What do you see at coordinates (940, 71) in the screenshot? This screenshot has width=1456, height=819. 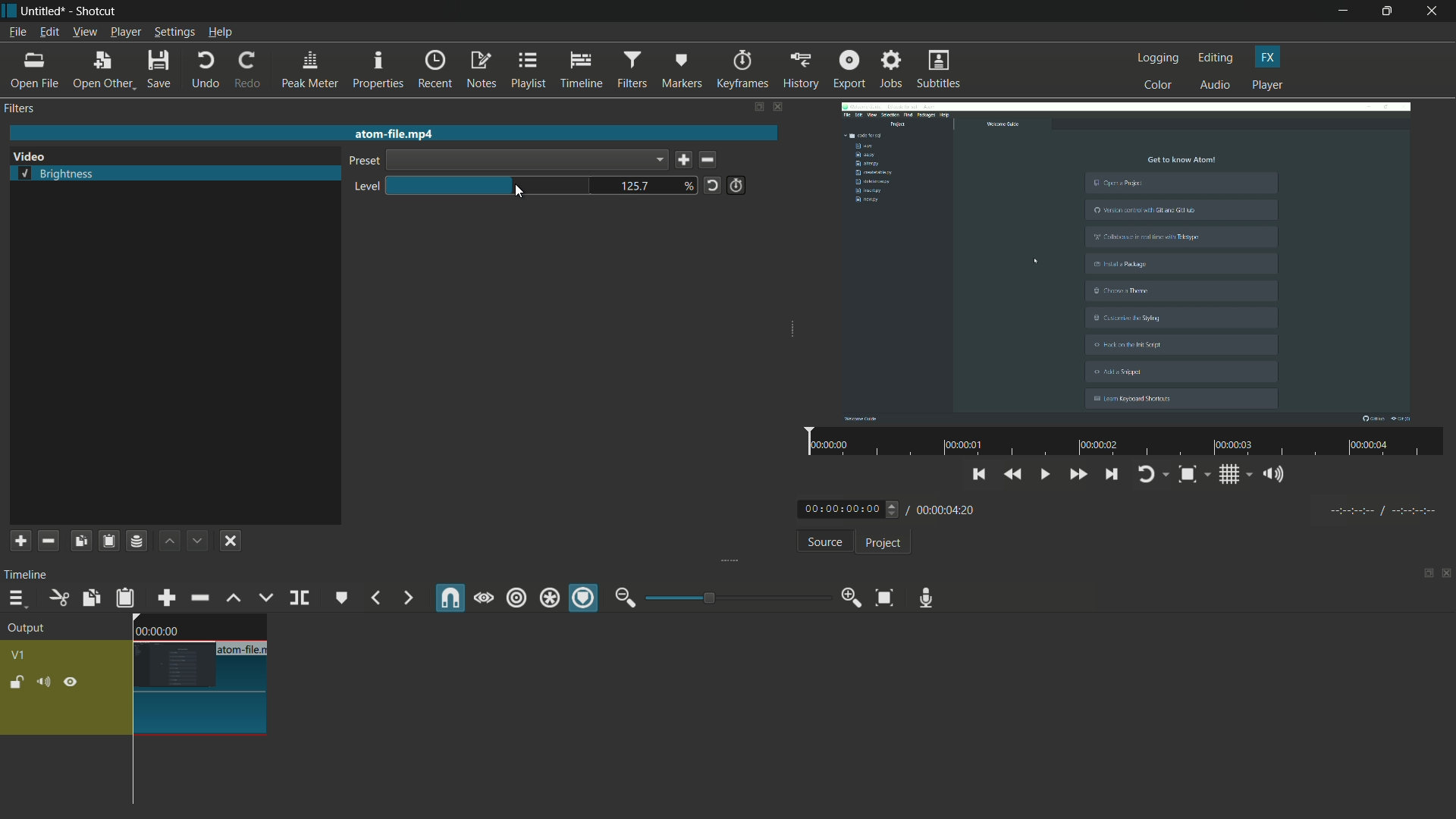 I see `subtitles` at bounding box center [940, 71].